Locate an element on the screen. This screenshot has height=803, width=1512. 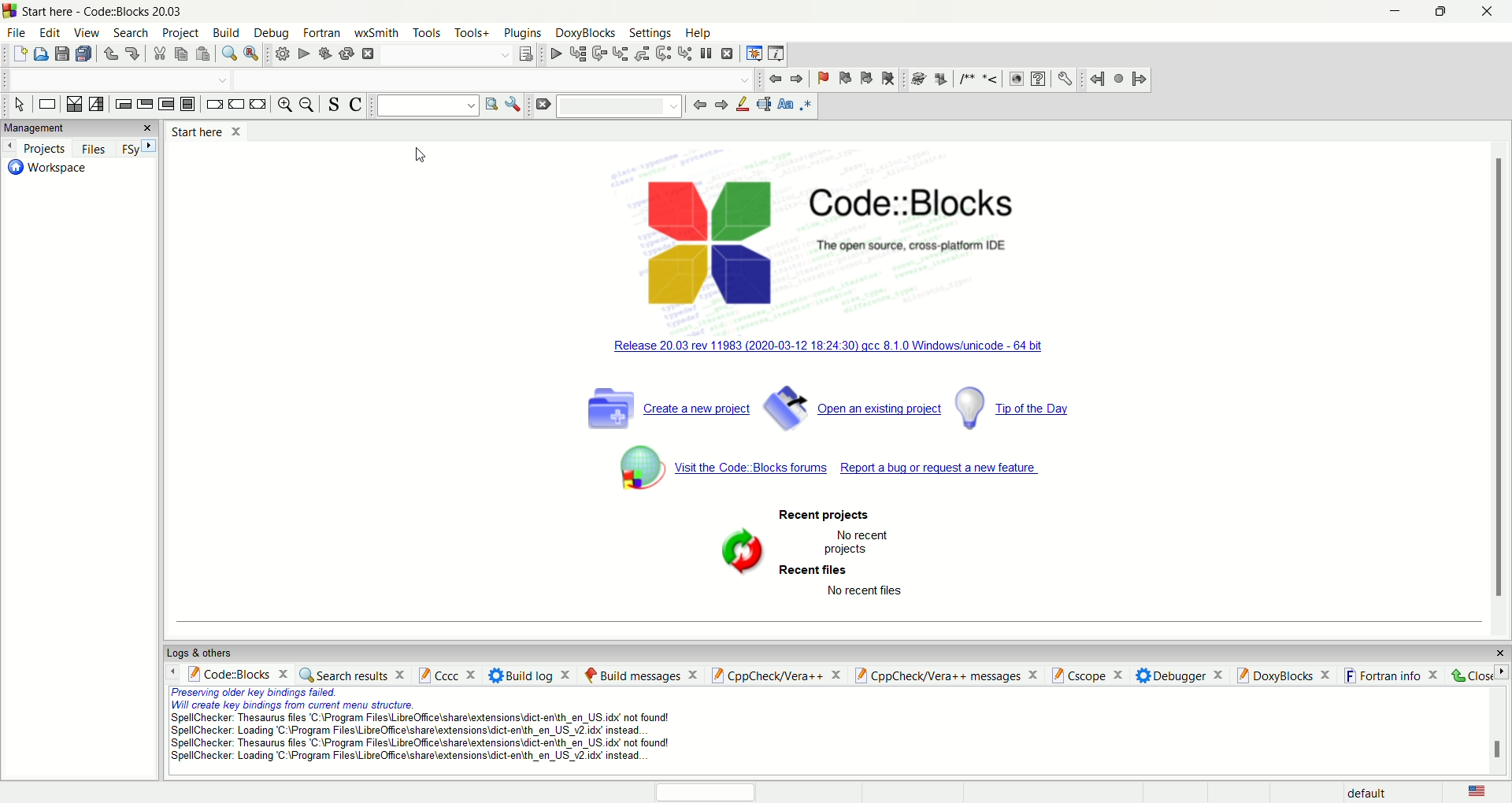
build log is located at coordinates (533, 674).